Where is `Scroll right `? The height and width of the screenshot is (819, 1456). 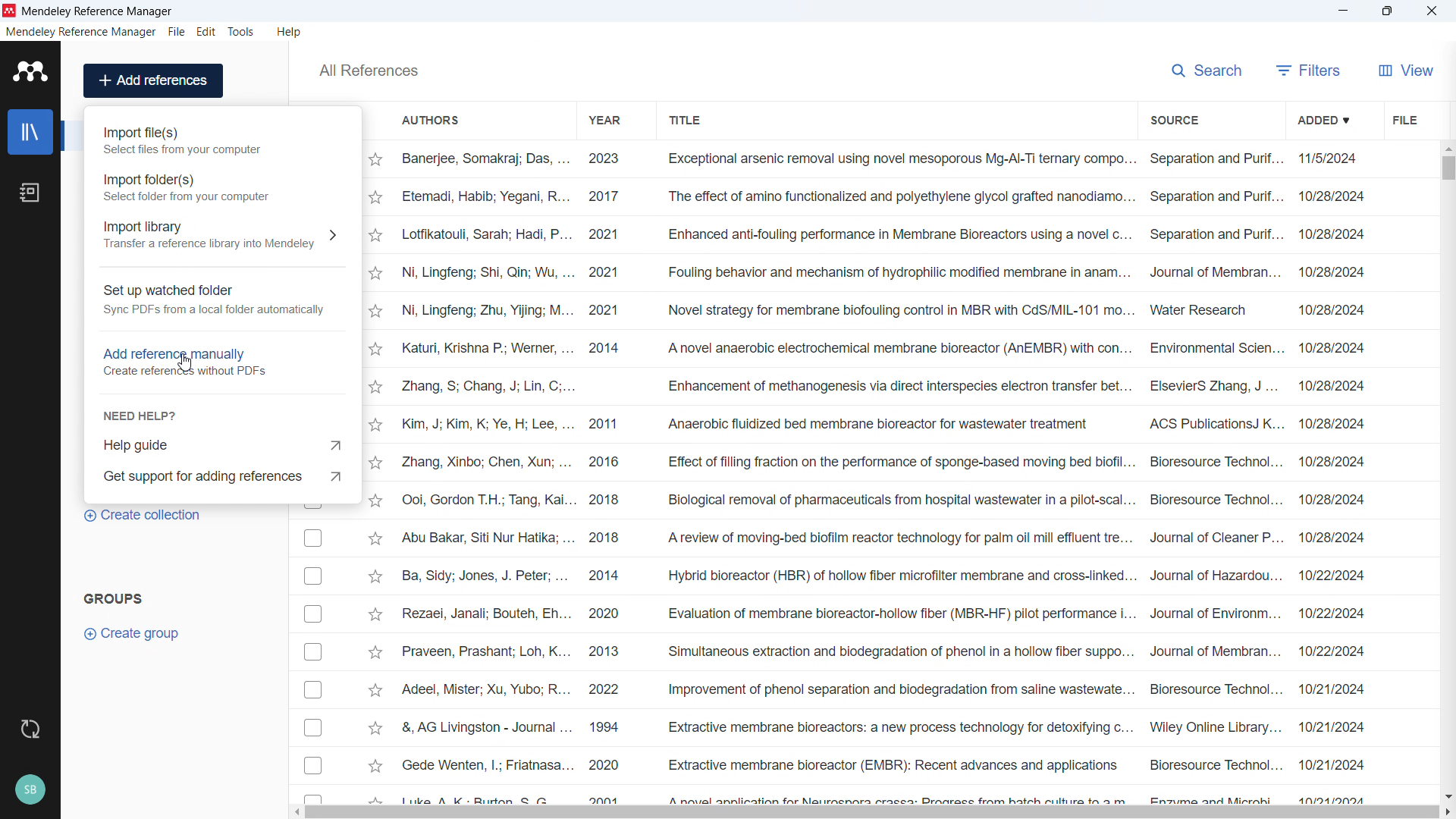 Scroll right  is located at coordinates (1447, 813).